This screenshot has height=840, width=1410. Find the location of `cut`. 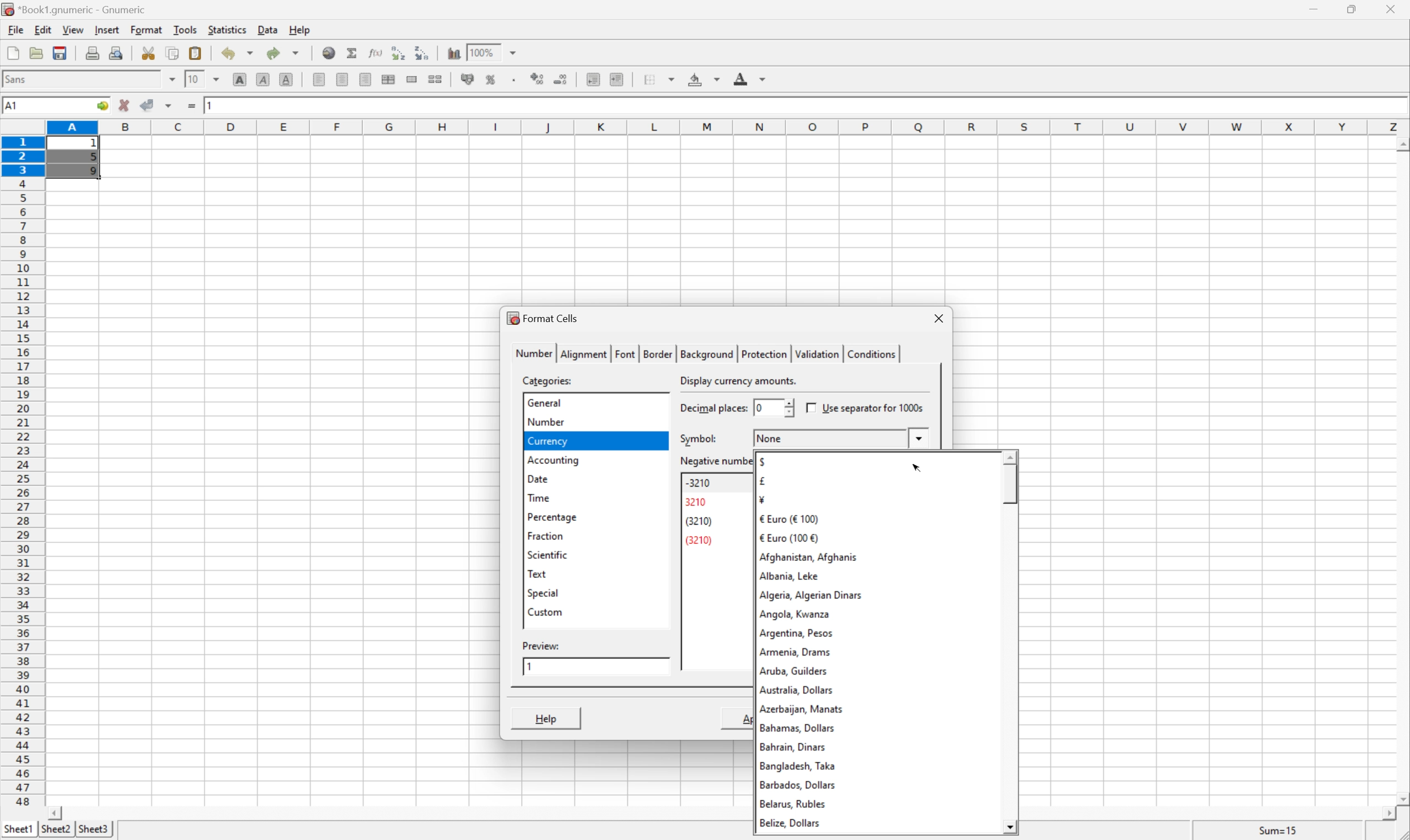

cut is located at coordinates (148, 52).